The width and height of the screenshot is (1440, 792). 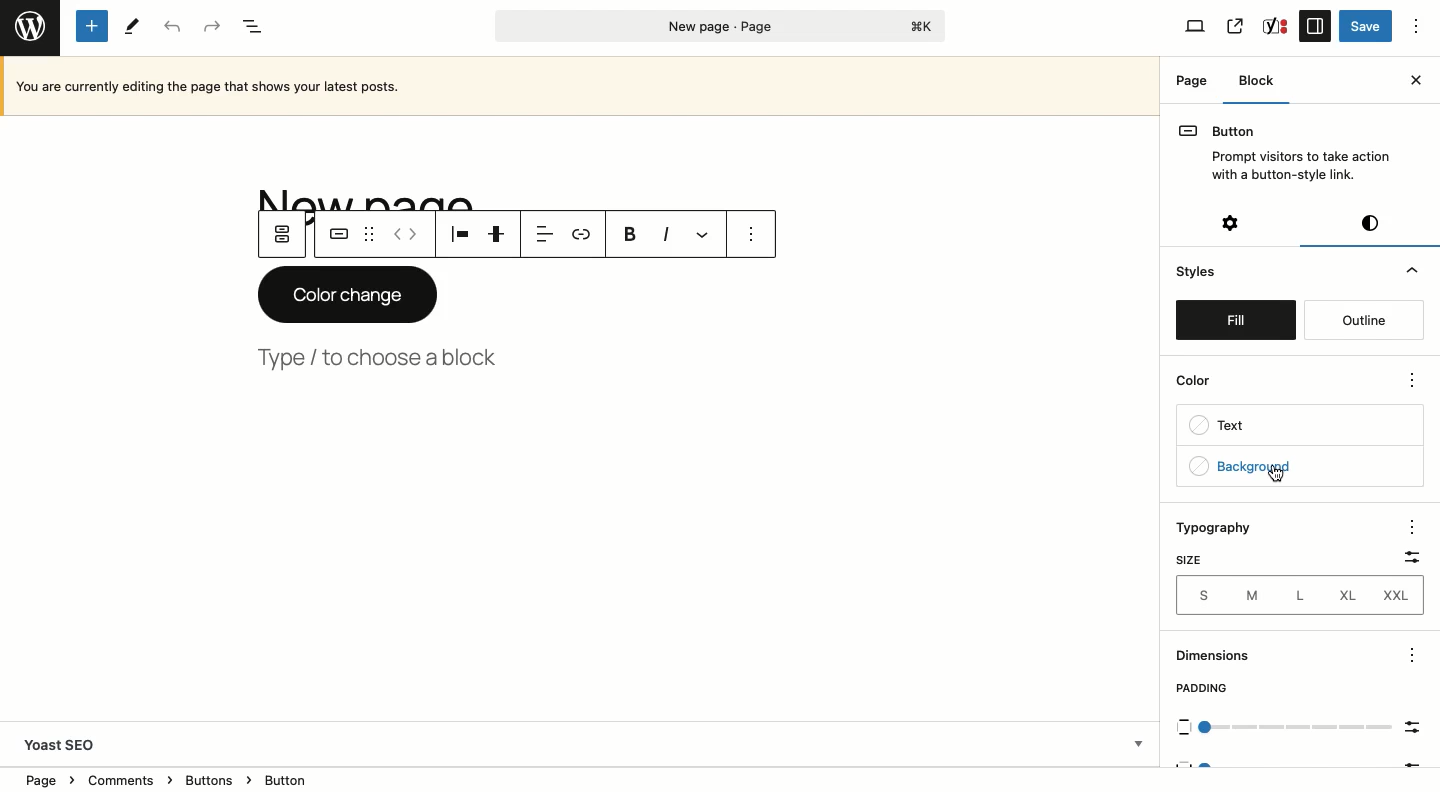 I want to click on Undo, so click(x=172, y=28).